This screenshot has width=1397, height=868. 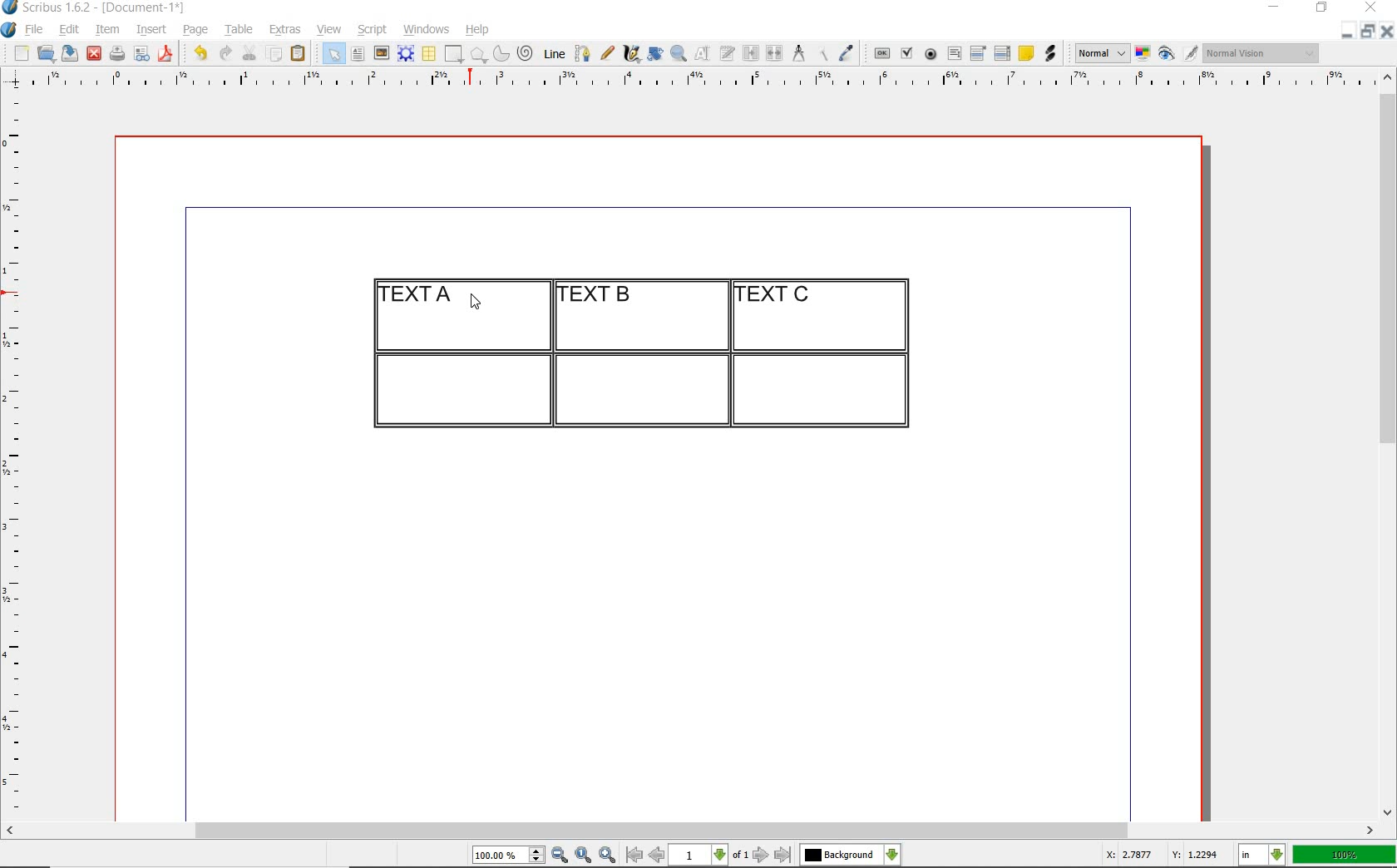 I want to click on paste, so click(x=301, y=54).